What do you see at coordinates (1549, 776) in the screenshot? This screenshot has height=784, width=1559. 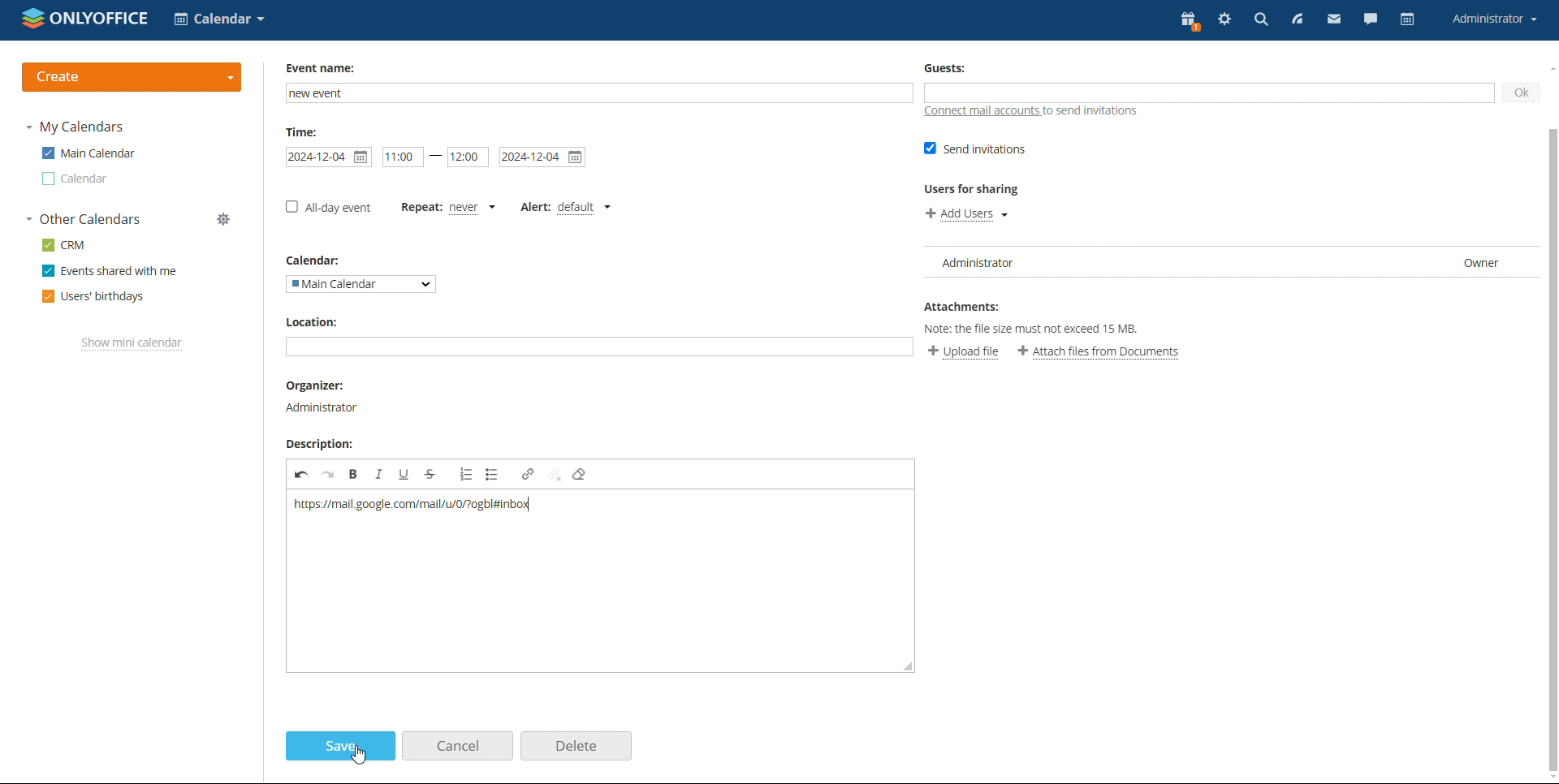 I see `scroll down` at bounding box center [1549, 776].